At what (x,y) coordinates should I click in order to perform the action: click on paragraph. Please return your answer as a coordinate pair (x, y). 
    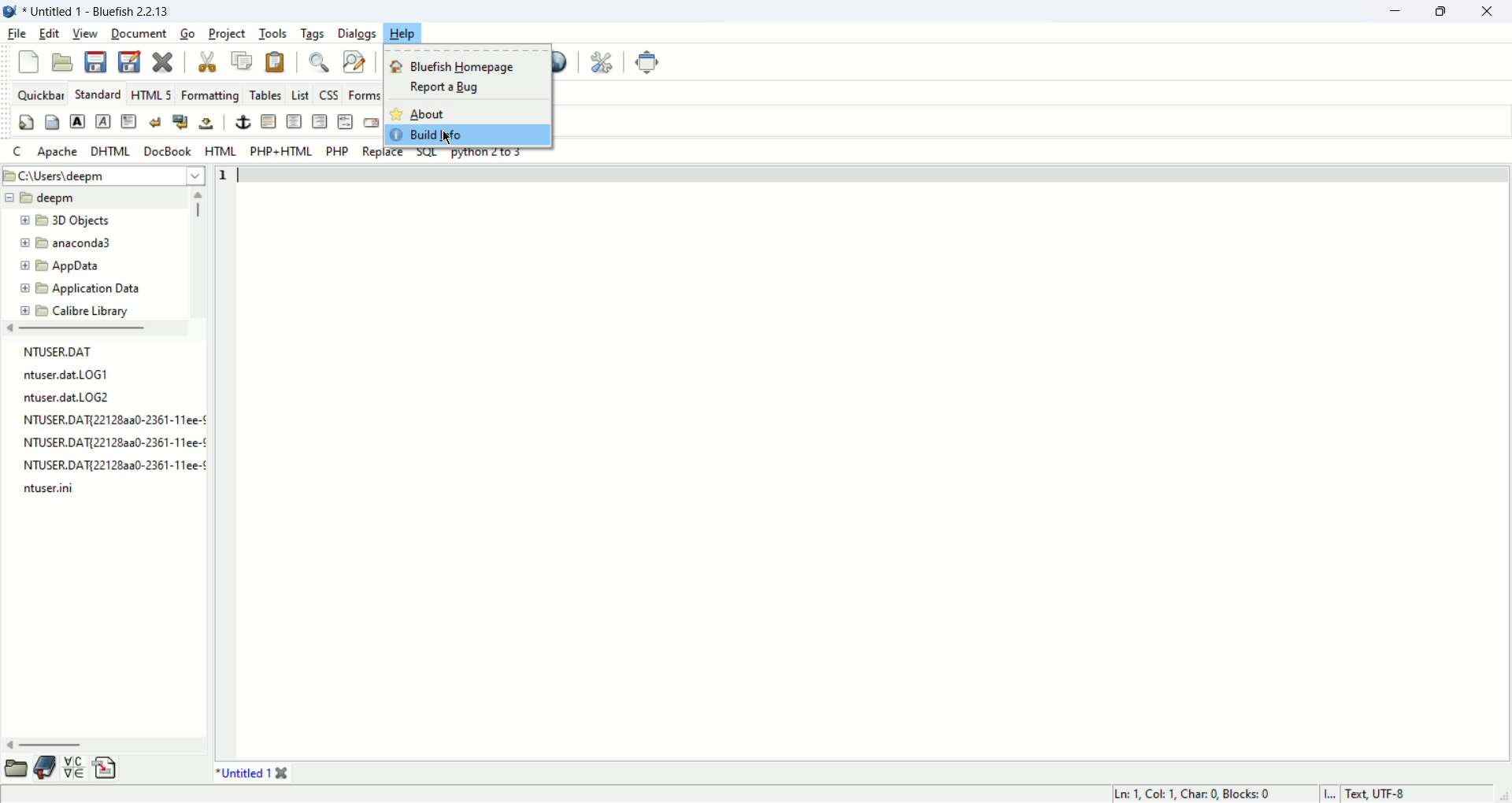
    Looking at the image, I should click on (128, 122).